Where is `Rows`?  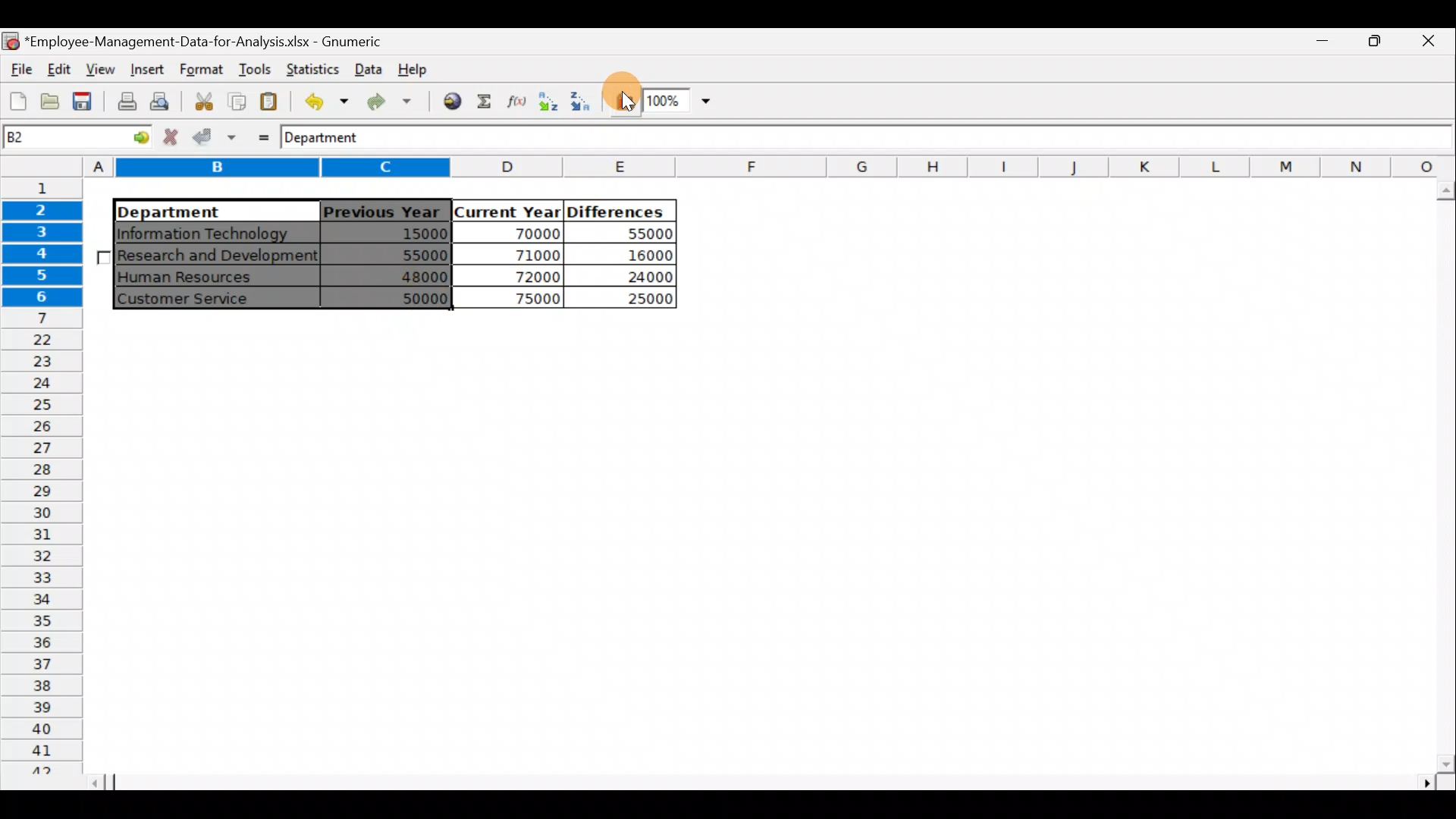 Rows is located at coordinates (45, 475).